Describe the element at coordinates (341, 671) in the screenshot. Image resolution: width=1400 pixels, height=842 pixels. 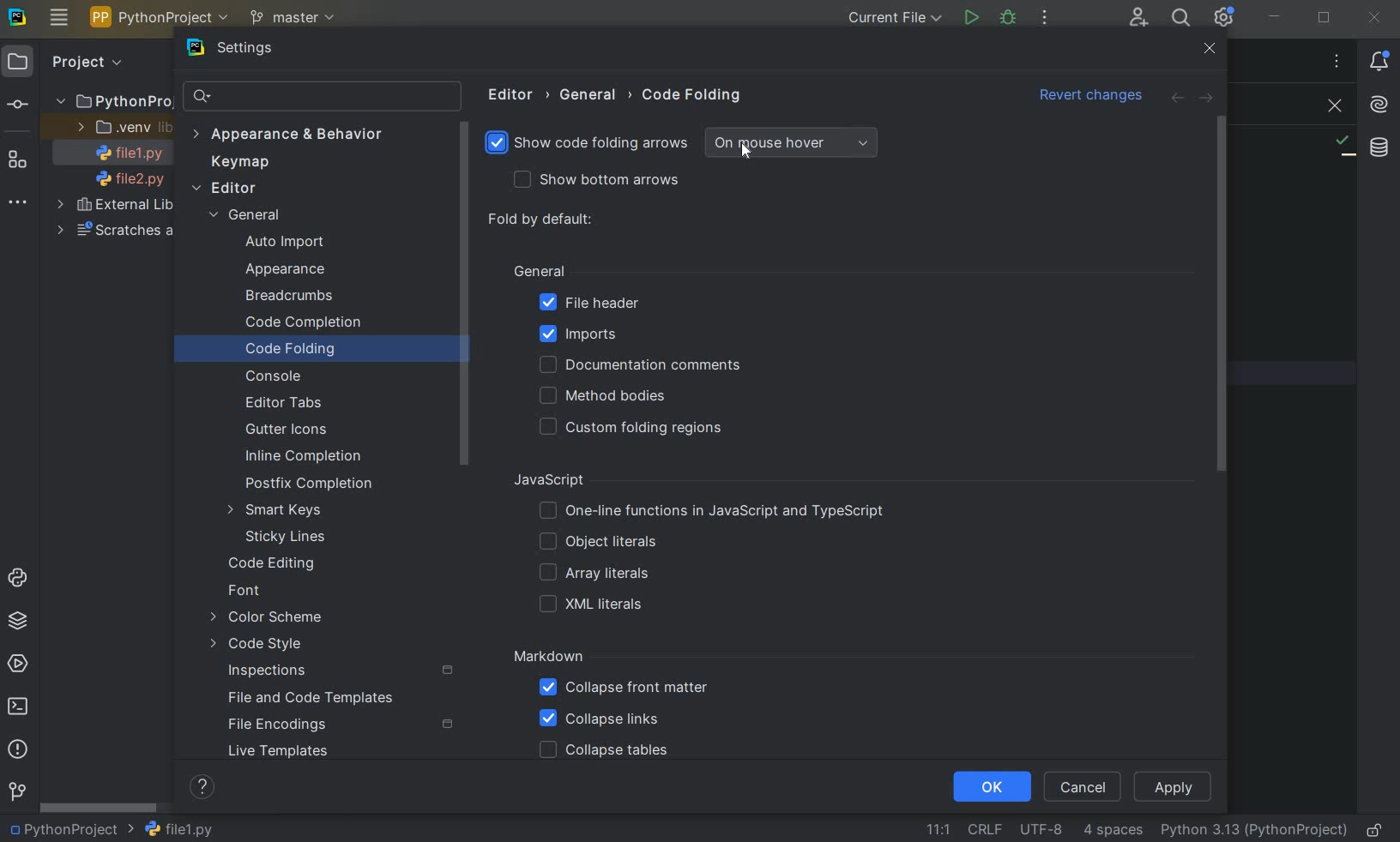
I see `INSPECTIONS` at that location.